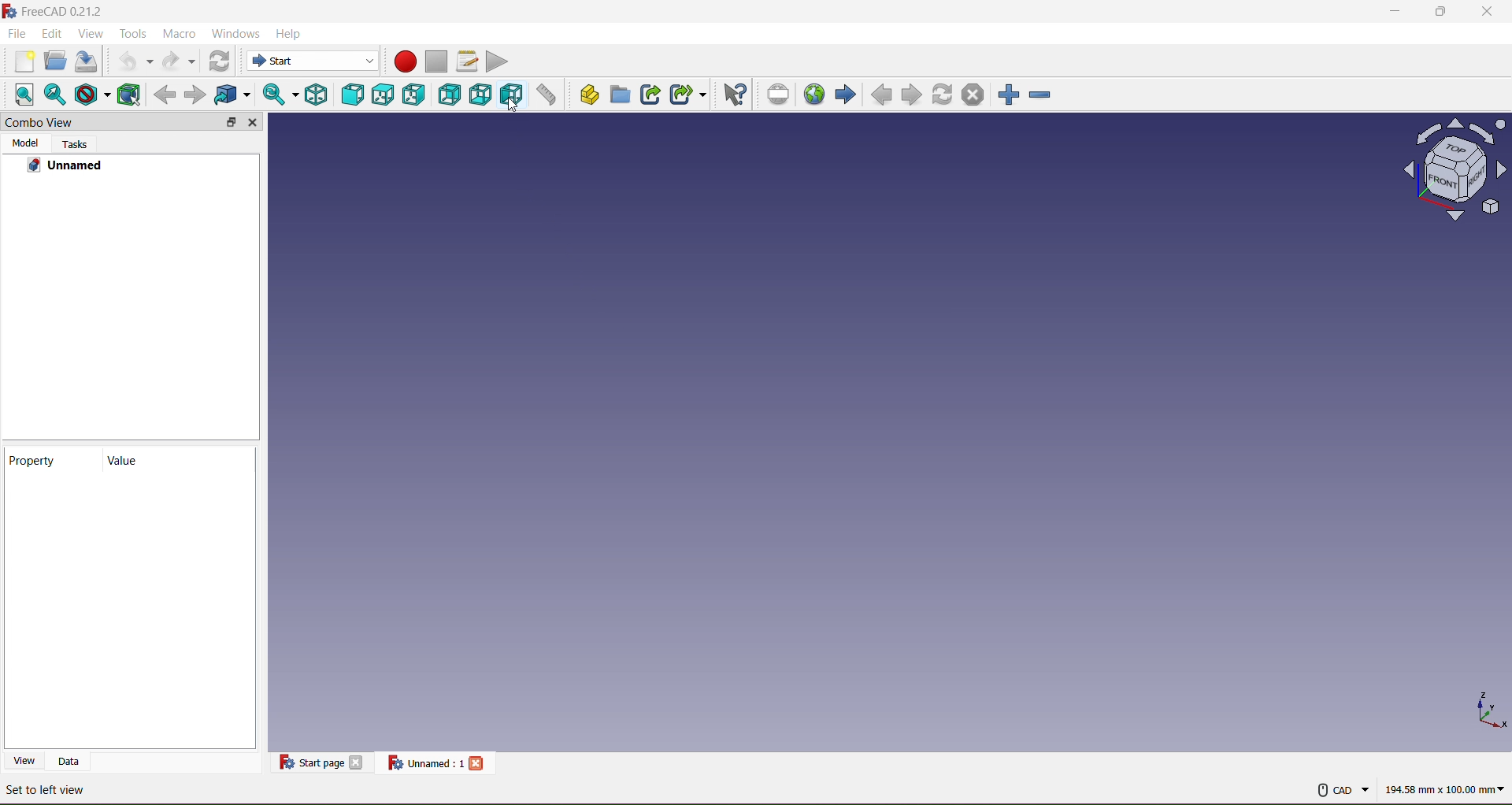 Image resolution: width=1512 pixels, height=805 pixels. I want to click on Open Document, so click(55, 62).